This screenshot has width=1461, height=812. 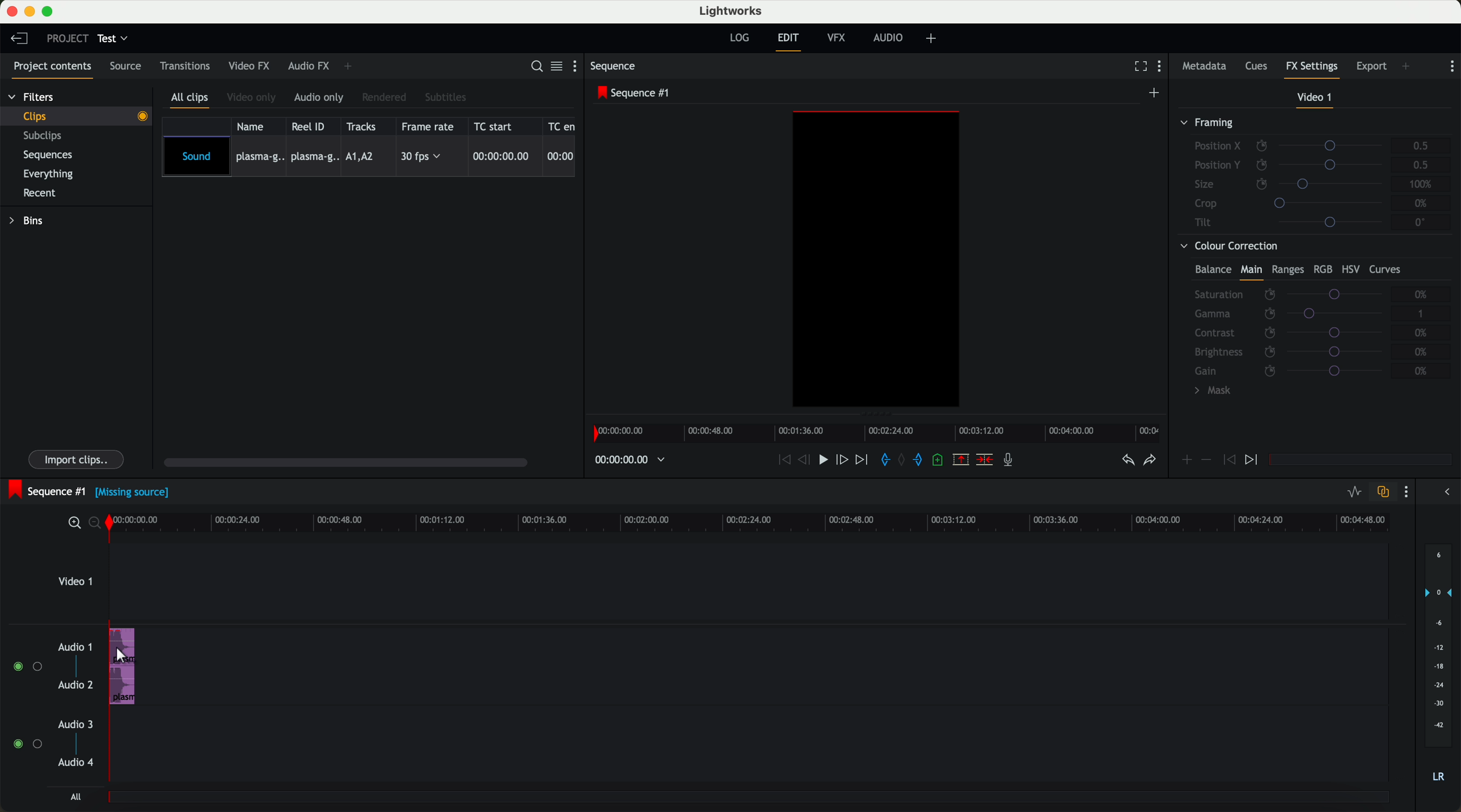 I want to click on video 1, so click(x=1314, y=98).